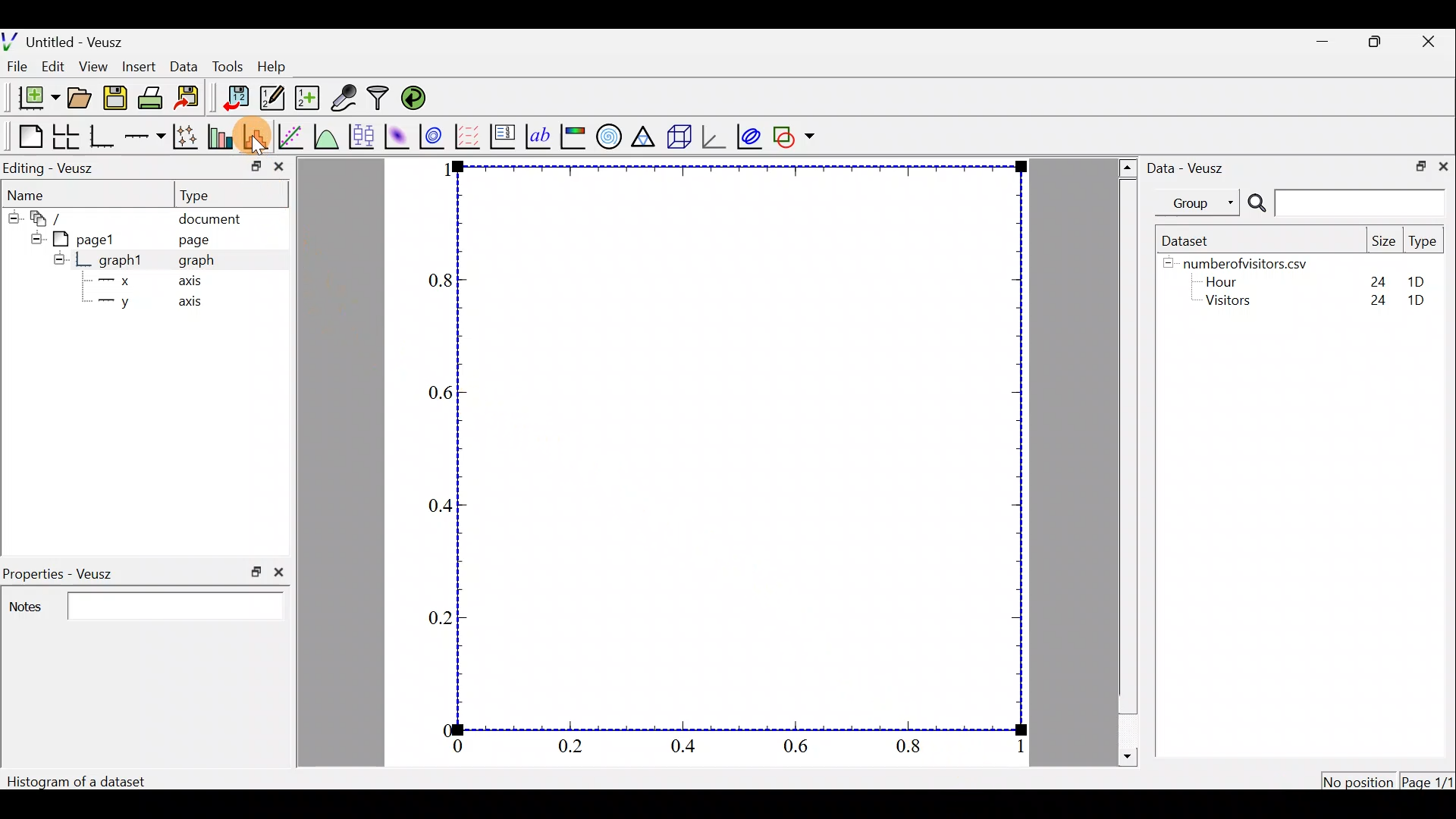 Image resolution: width=1456 pixels, height=819 pixels. Describe the element at coordinates (309, 96) in the screenshot. I see `create new datasets using ranges, parametrically or as functions of existing dataset.` at that location.